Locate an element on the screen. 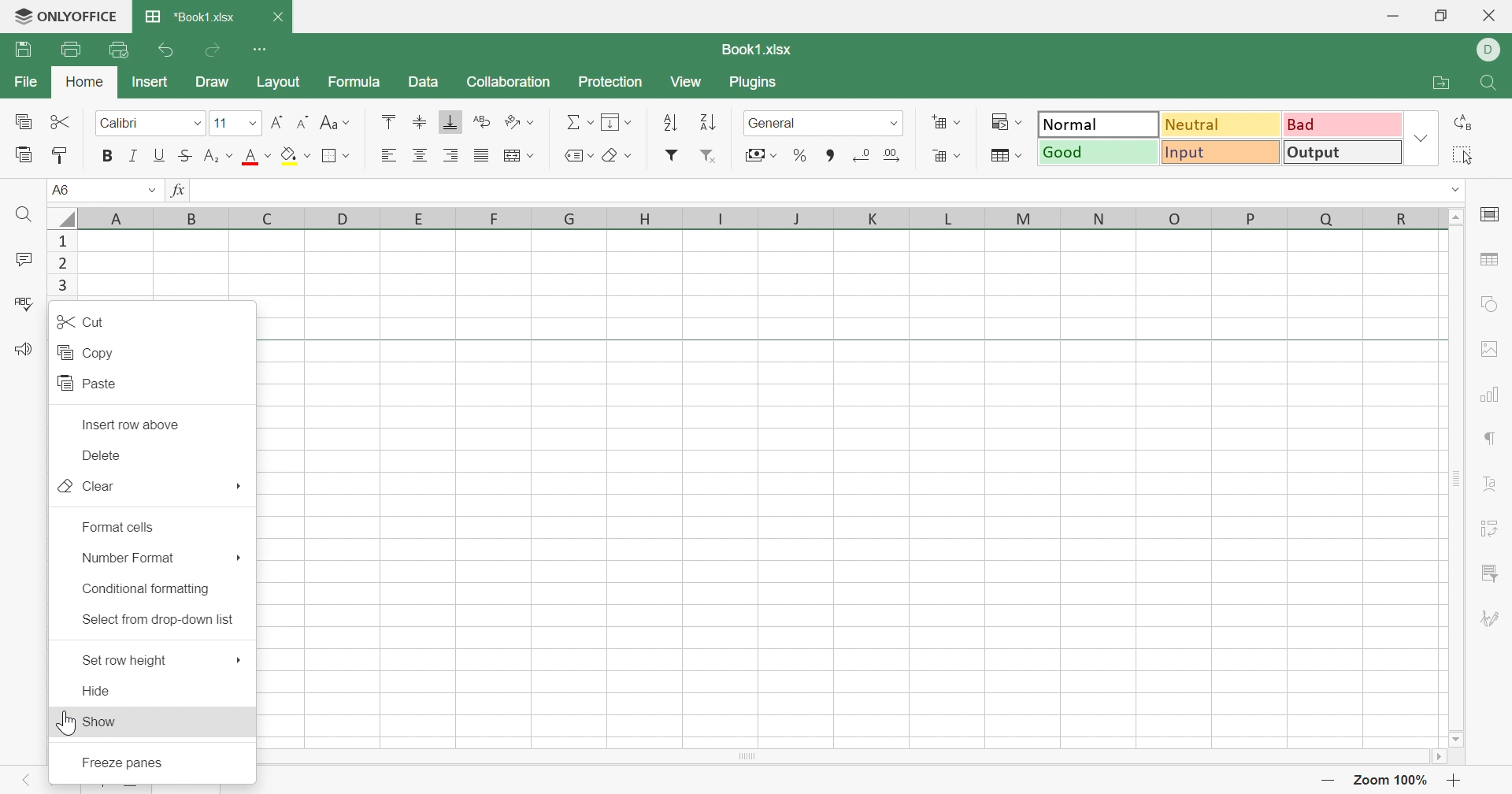 Image resolution: width=1512 pixels, height=794 pixels. Decrement font size is located at coordinates (300, 124).